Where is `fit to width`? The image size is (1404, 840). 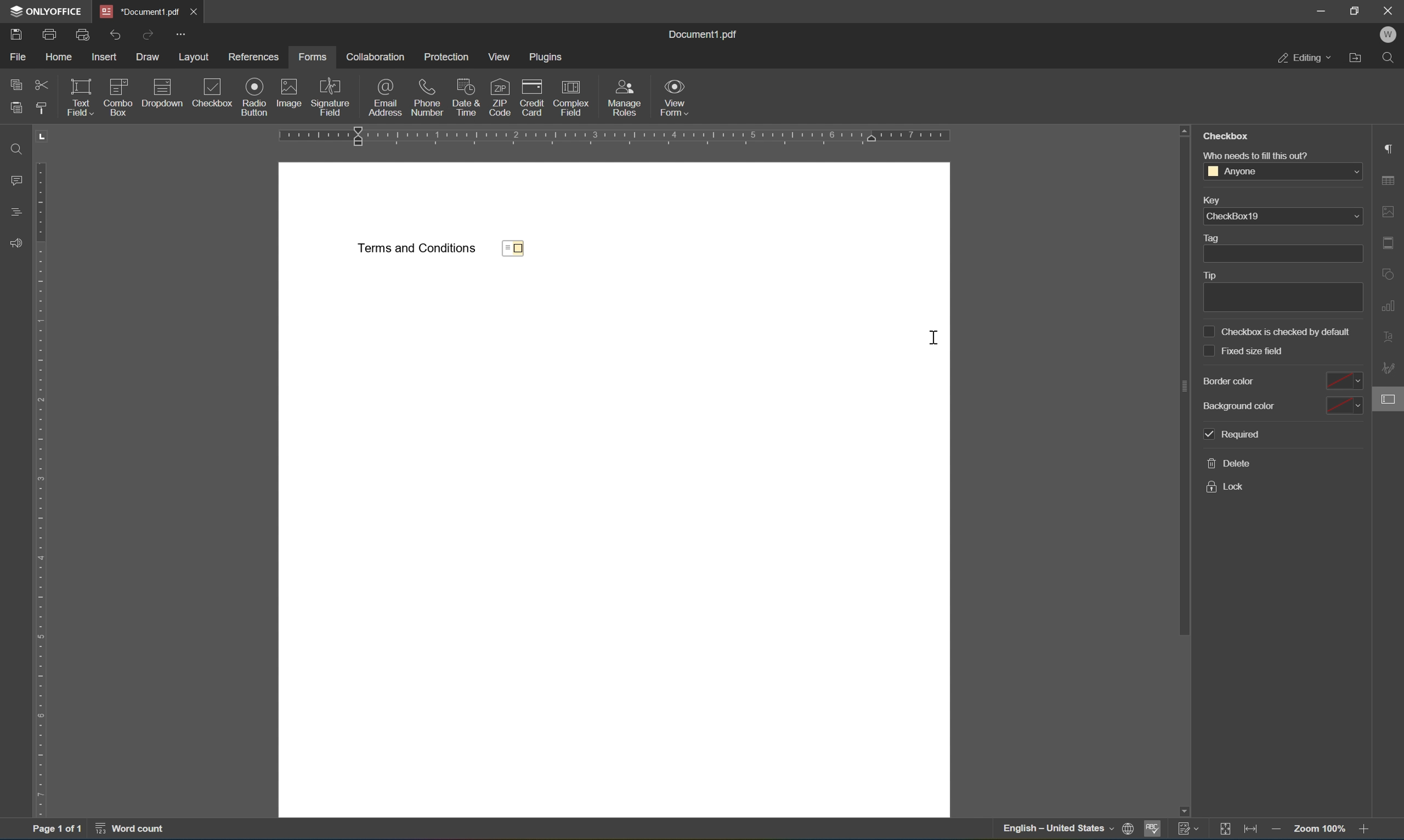
fit to width is located at coordinates (1249, 830).